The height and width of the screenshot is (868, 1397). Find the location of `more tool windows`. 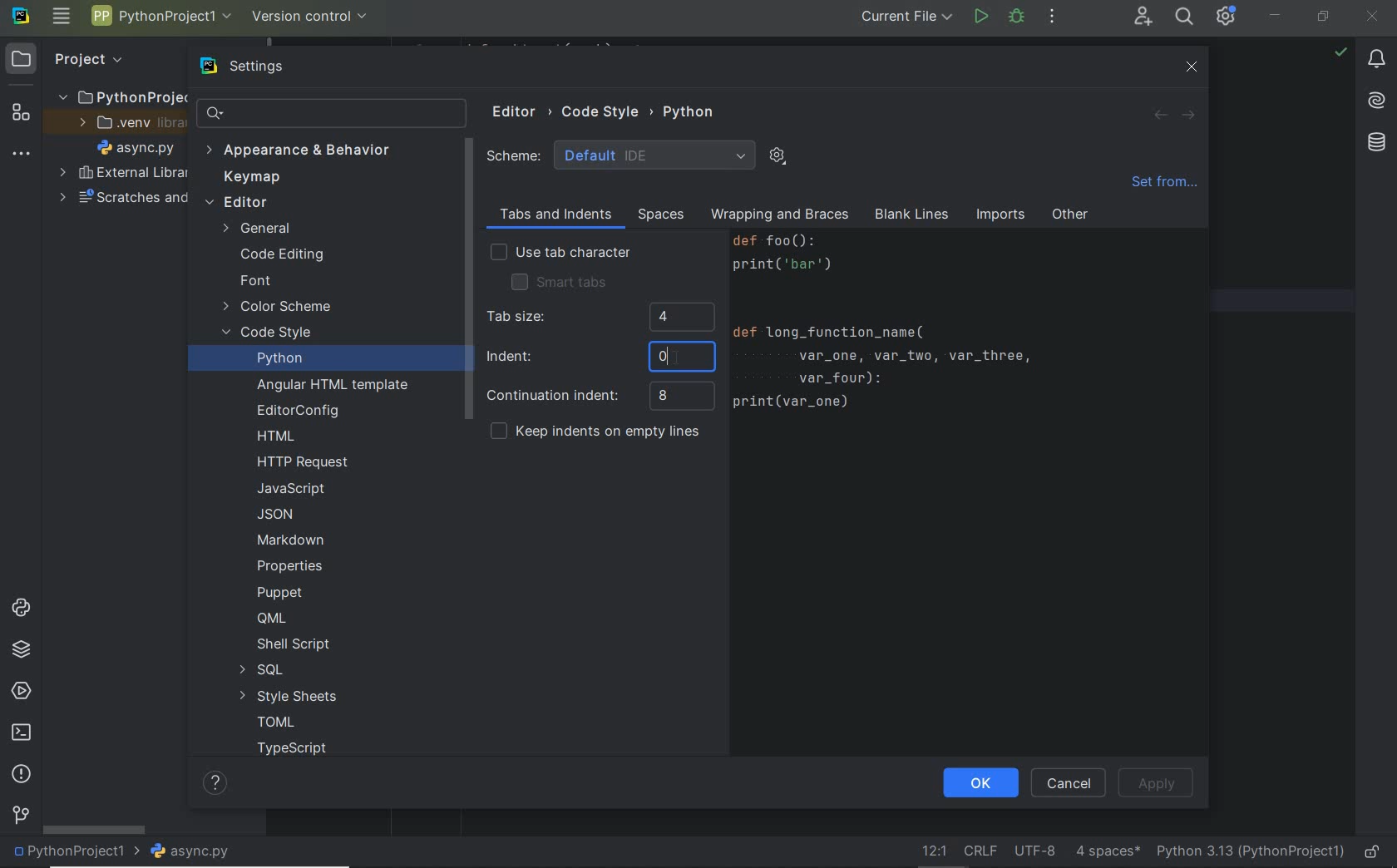

more tool windows is located at coordinates (21, 155).